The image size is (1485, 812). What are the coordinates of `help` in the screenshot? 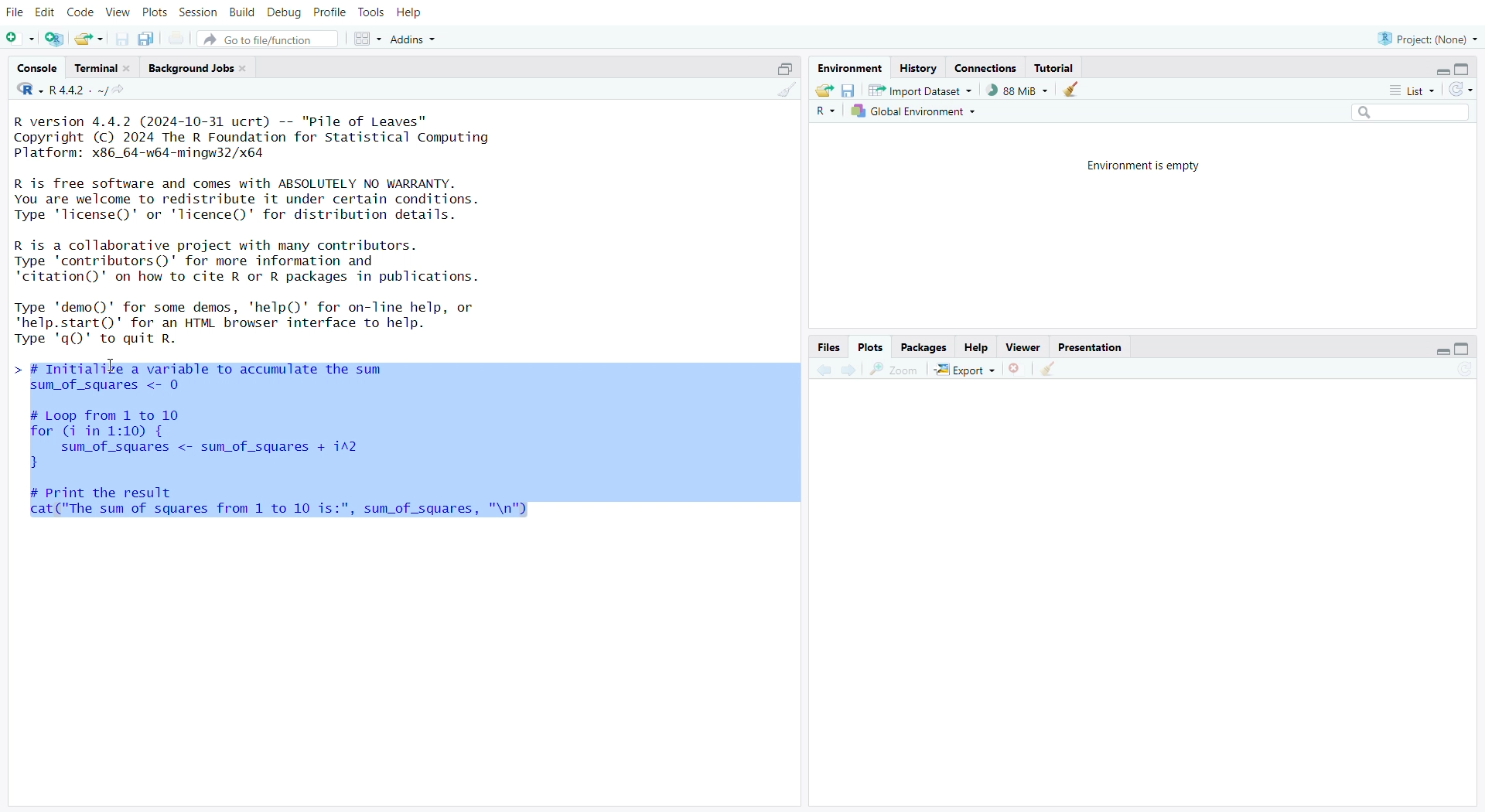 It's located at (411, 12).